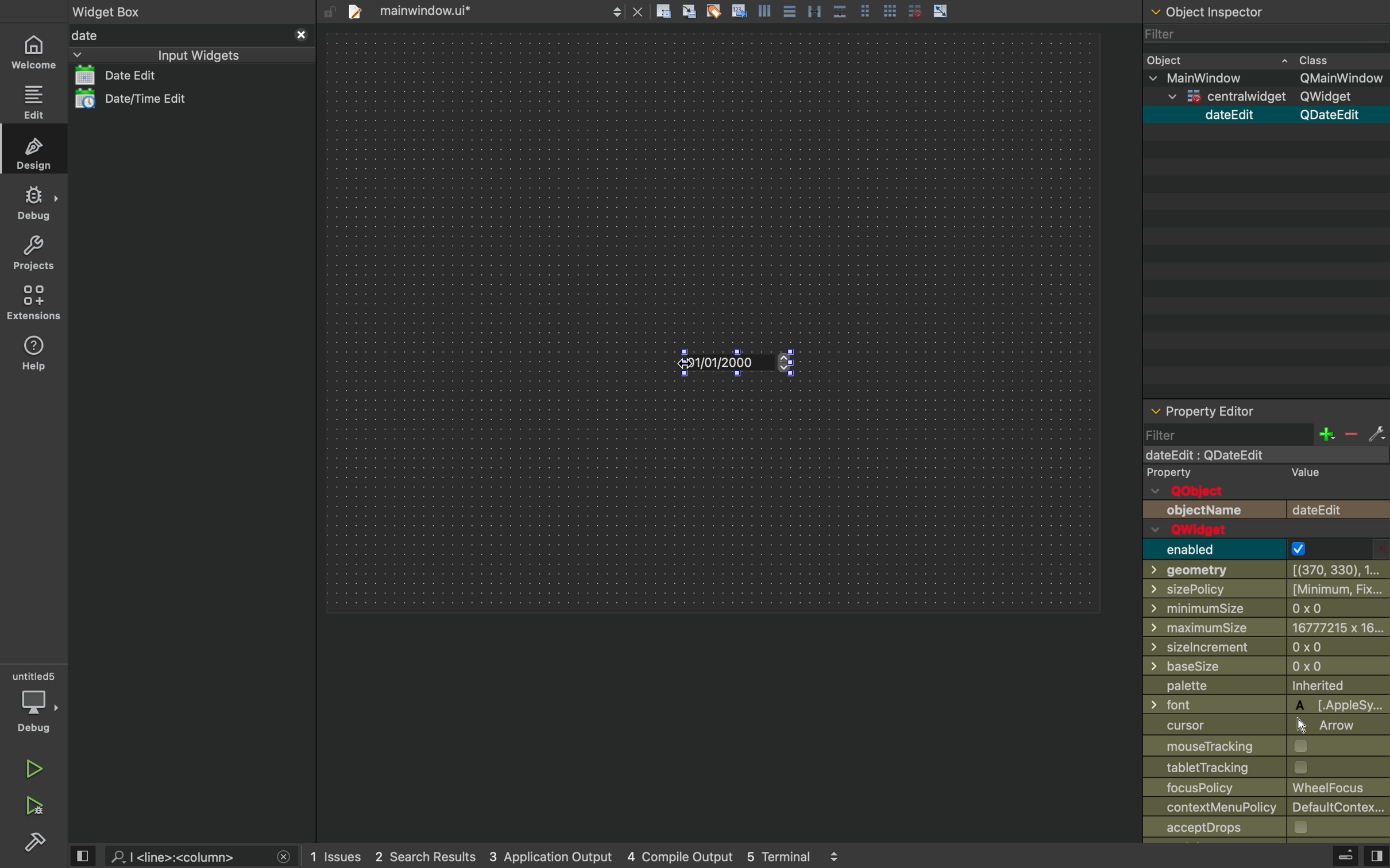 The width and height of the screenshot is (1390, 868). Describe the element at coordinates (188, 855) in the screenshot. I see `search` at that location.